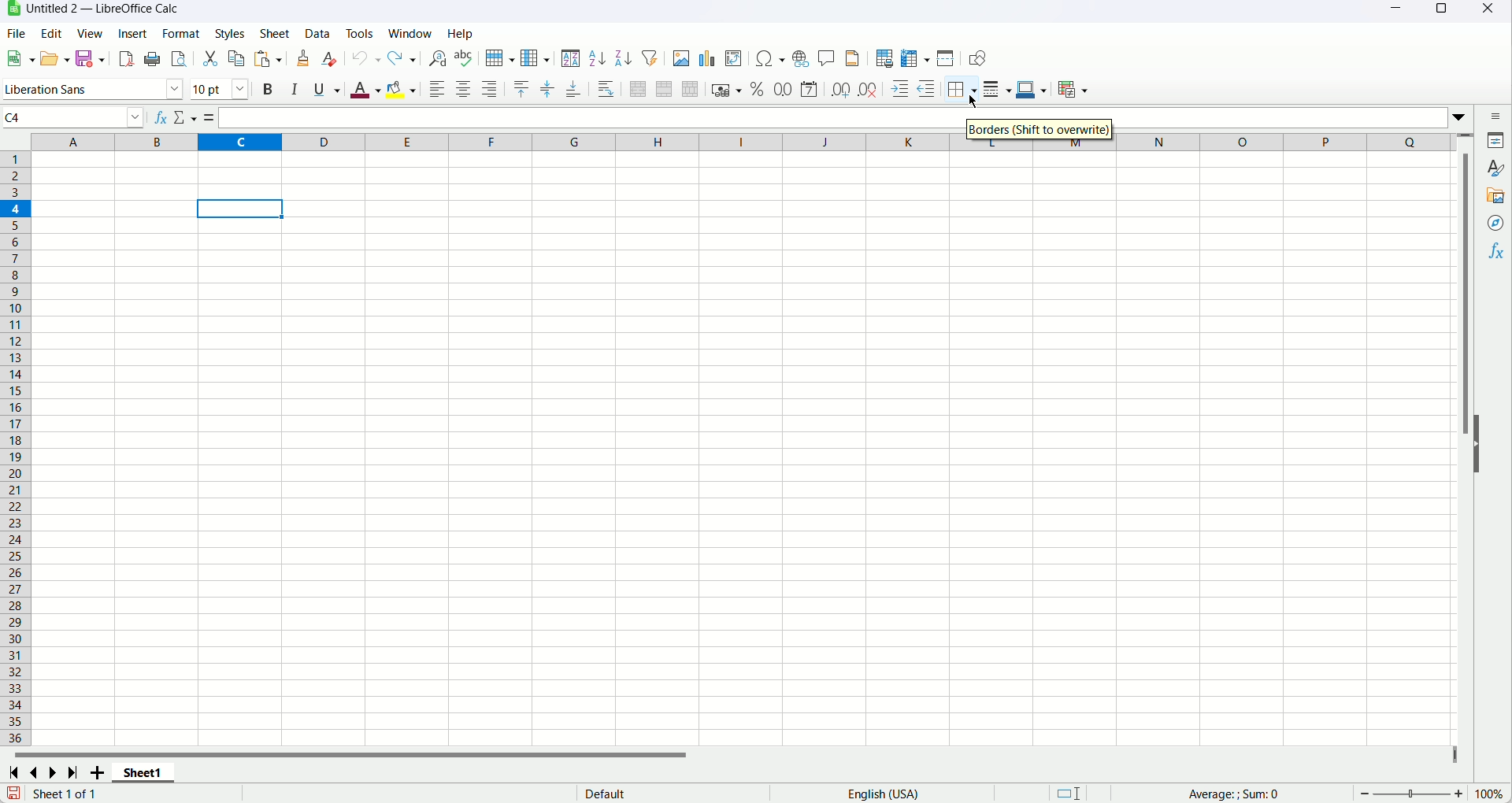 The width and height of the screenshot is (1512, 803). What do you see at coordinates (64, 794) in the screenshot?
I see `Text` at bounding box center [64, 794].